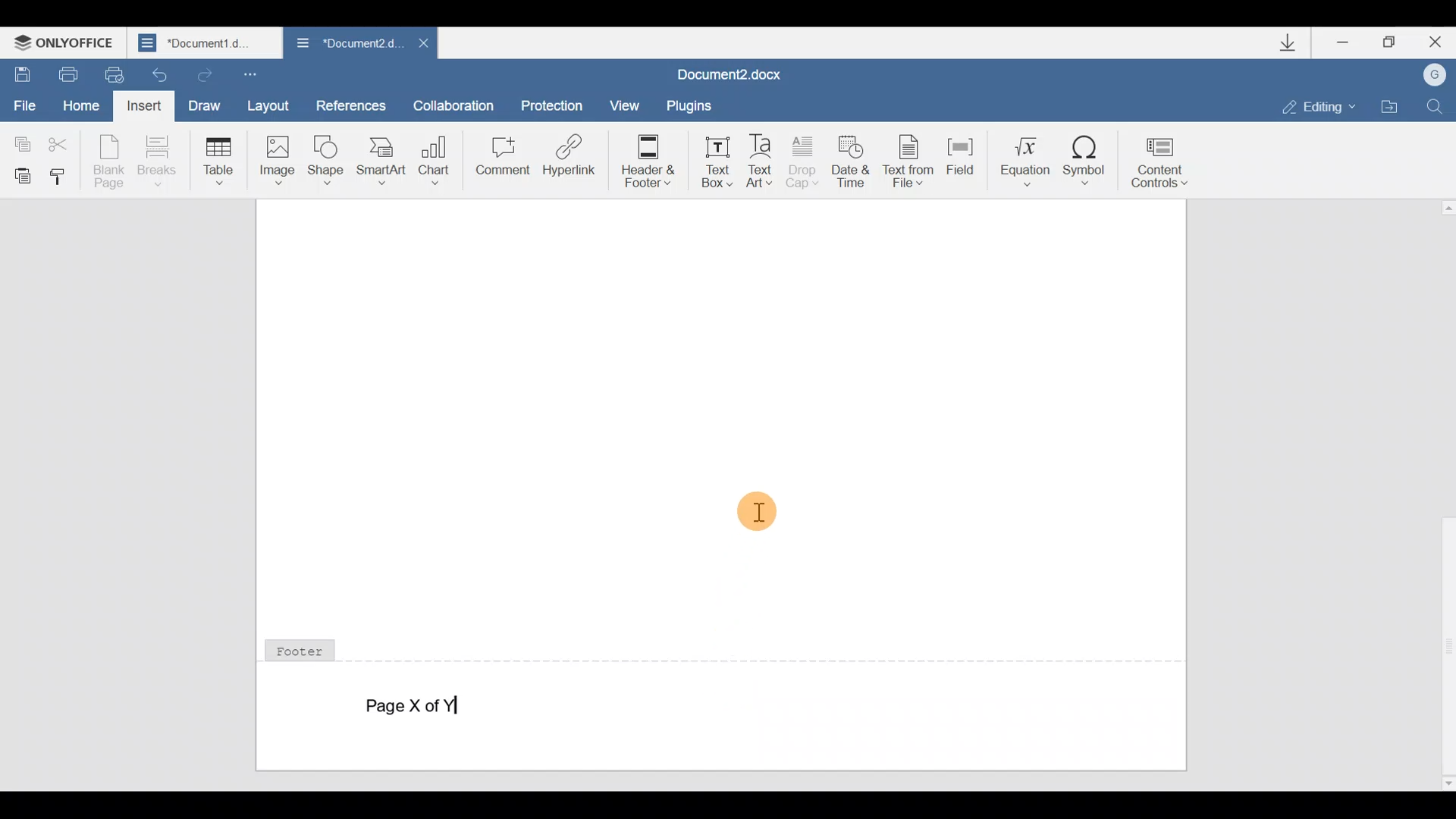 The height and width of the screenshot is (819, 1456). I want to click on Header & footer, so click(643, 160).